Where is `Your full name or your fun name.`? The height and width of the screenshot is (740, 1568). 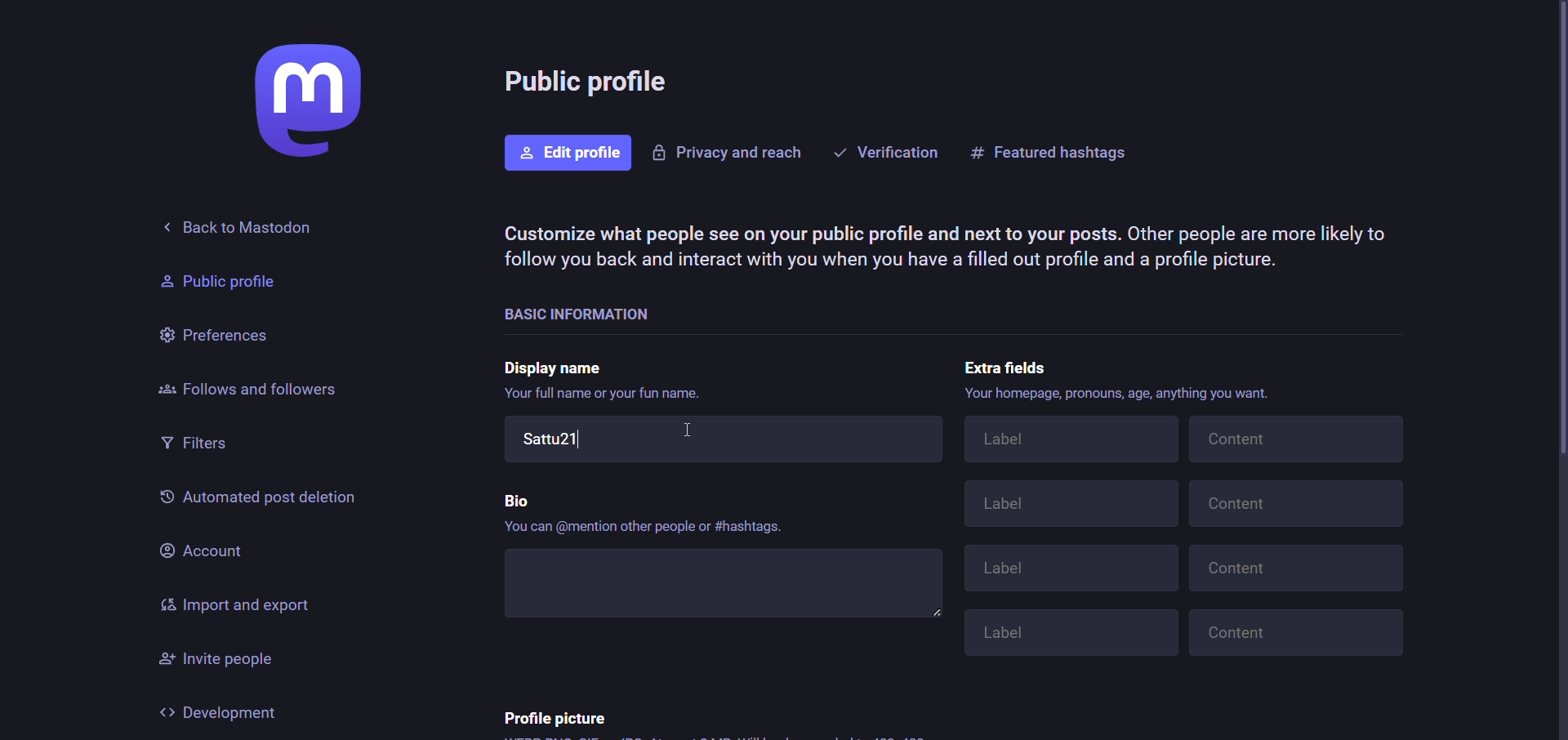 Your full name or your fun name. is located at coordinates (612, 392).